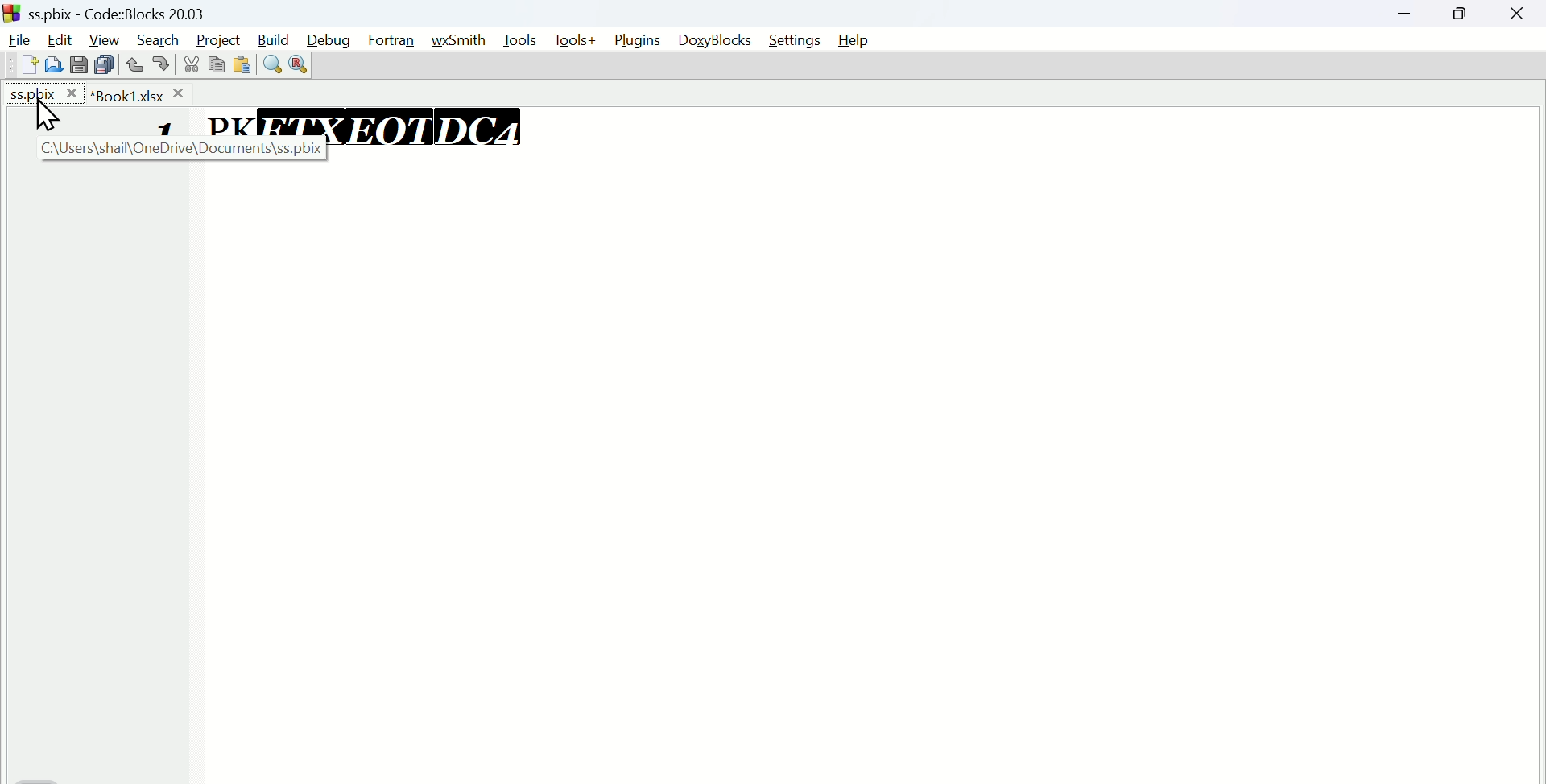  Describe the element at coordinates (140, 93) in the screenshot. I see `book1.xlsx` at that location.